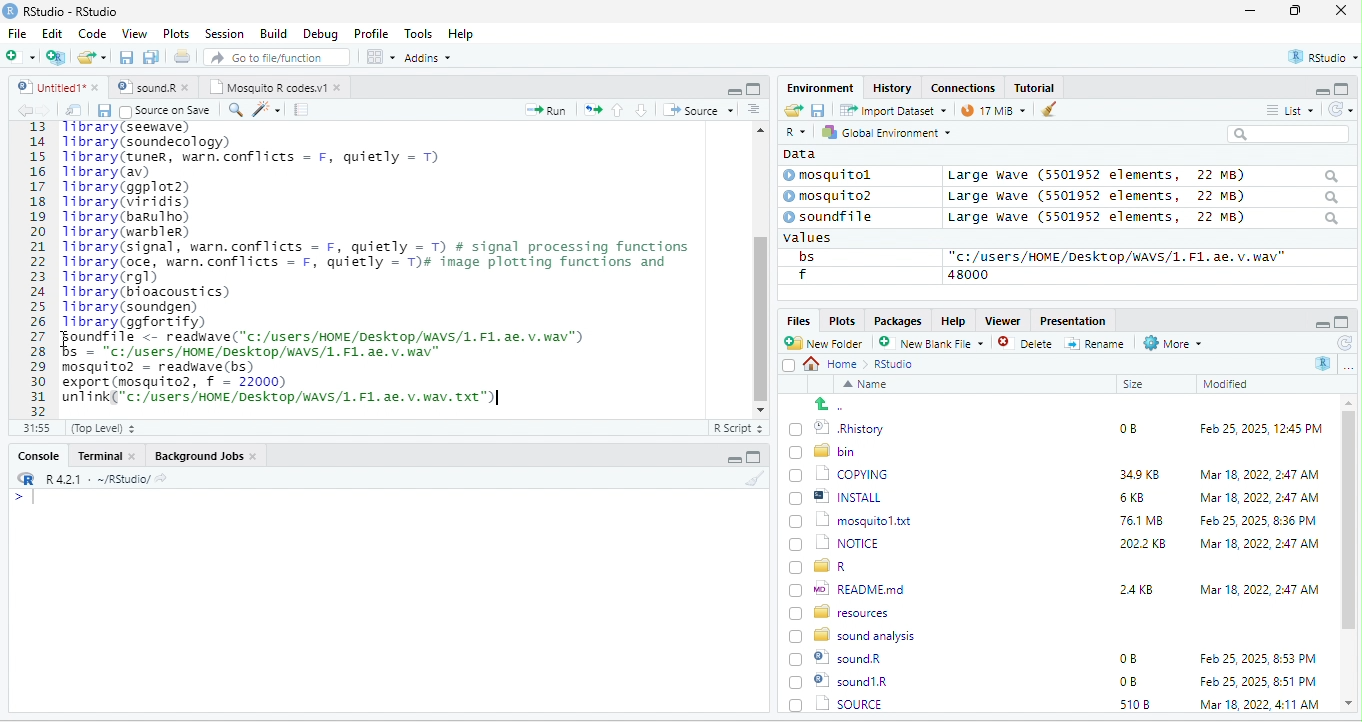  I want to click on Console, so click(37, 454).